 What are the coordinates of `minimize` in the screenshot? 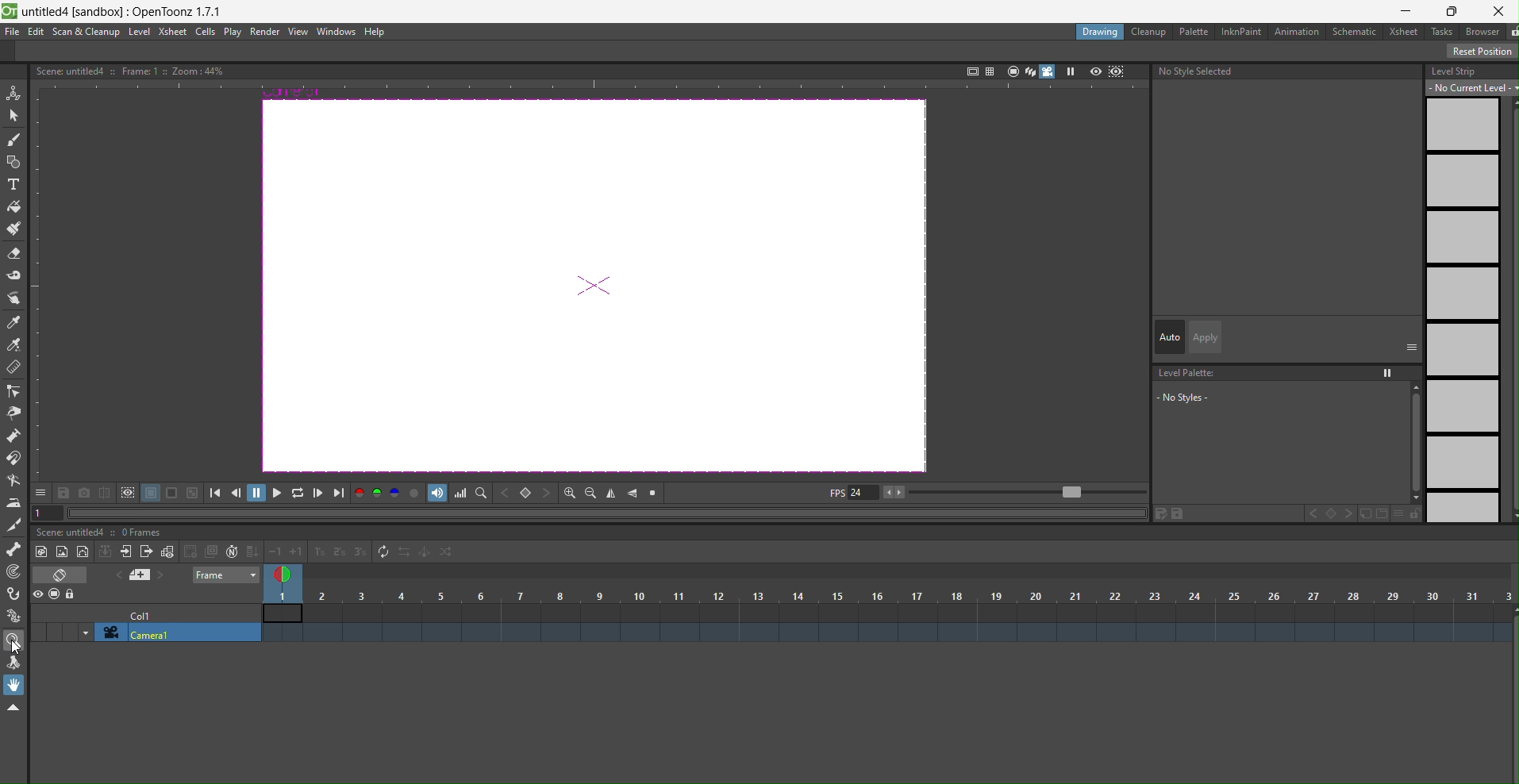 It's located at (1409, 10).